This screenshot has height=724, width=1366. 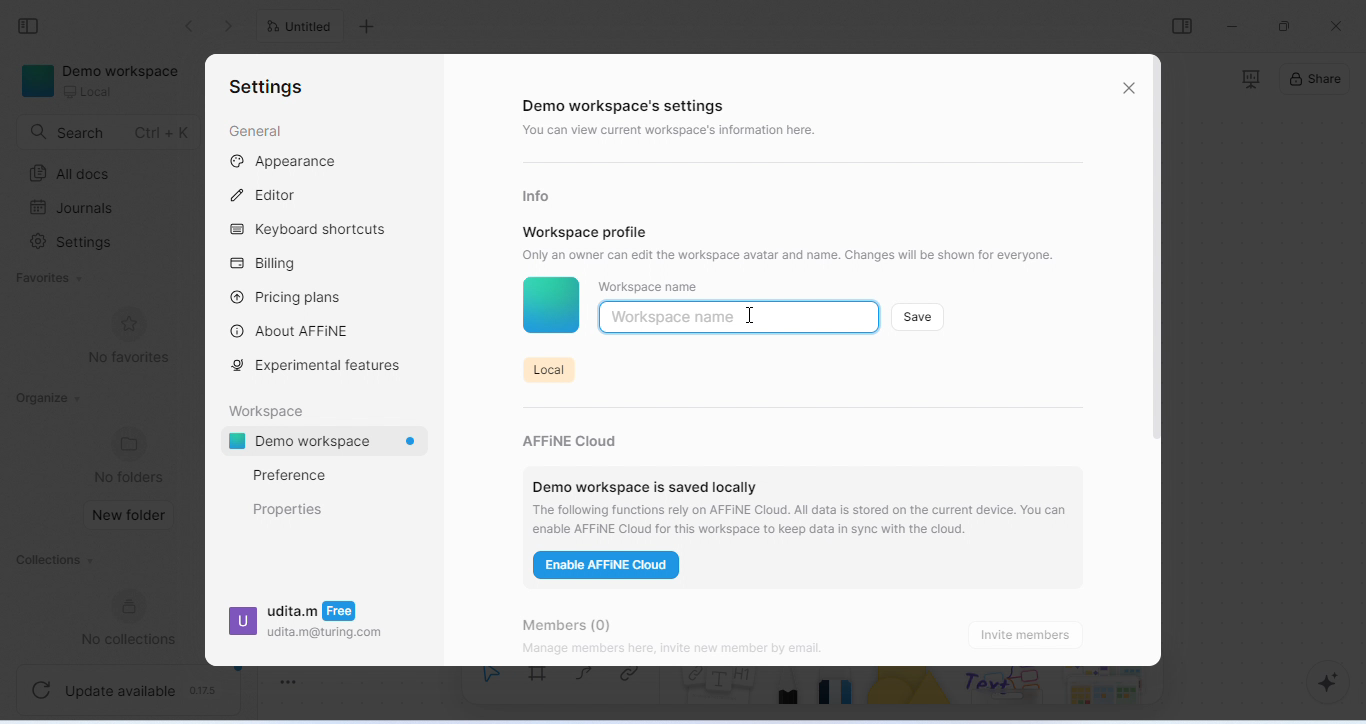 What do you see at coordinates (313, 231) in the screenshot?
I see `keyboard shortcuts` at bounding box center [313, 231].